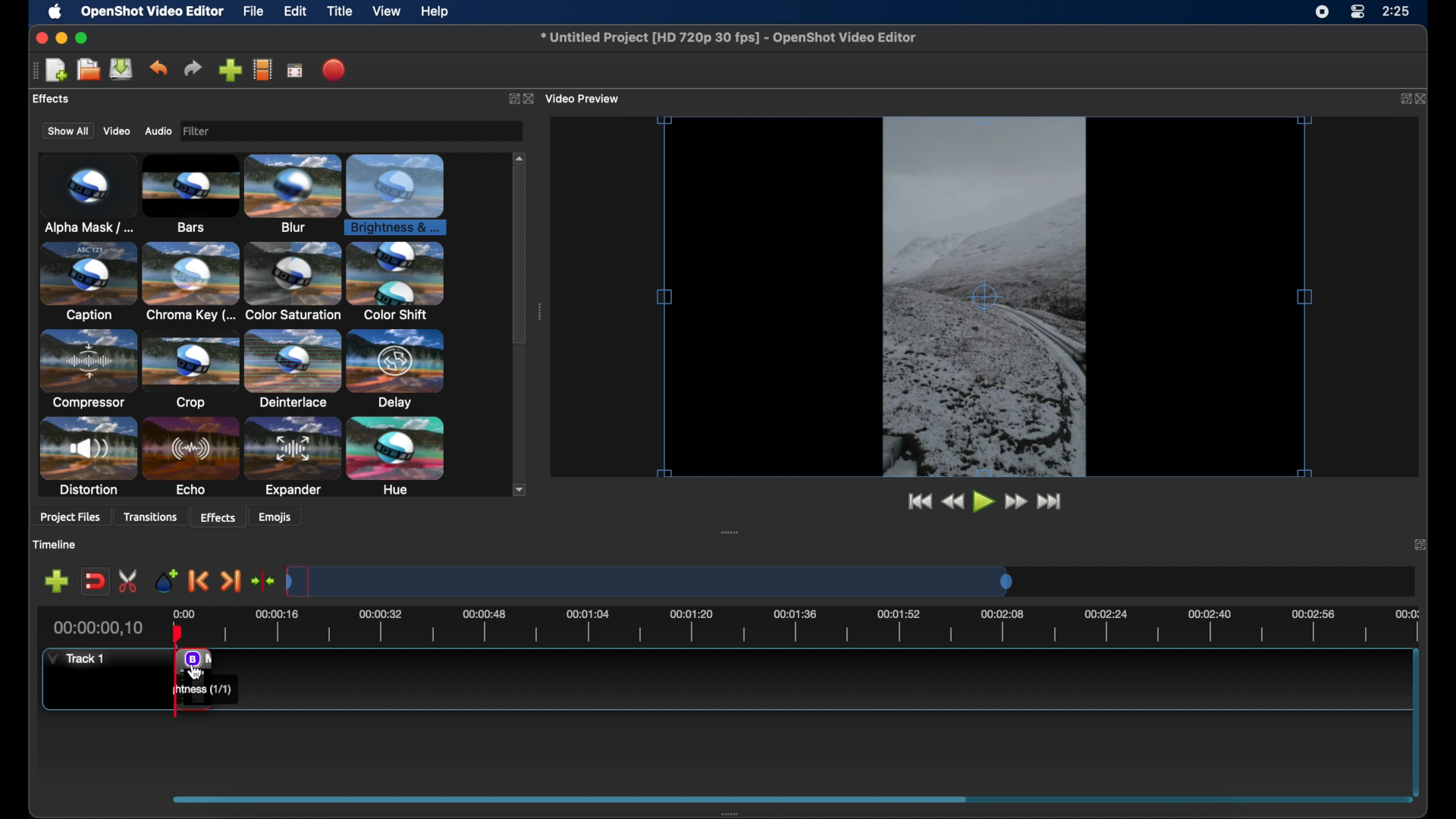  Describe the element at coordinates (292, 457) in the screenshot. I see `expander` at that location.